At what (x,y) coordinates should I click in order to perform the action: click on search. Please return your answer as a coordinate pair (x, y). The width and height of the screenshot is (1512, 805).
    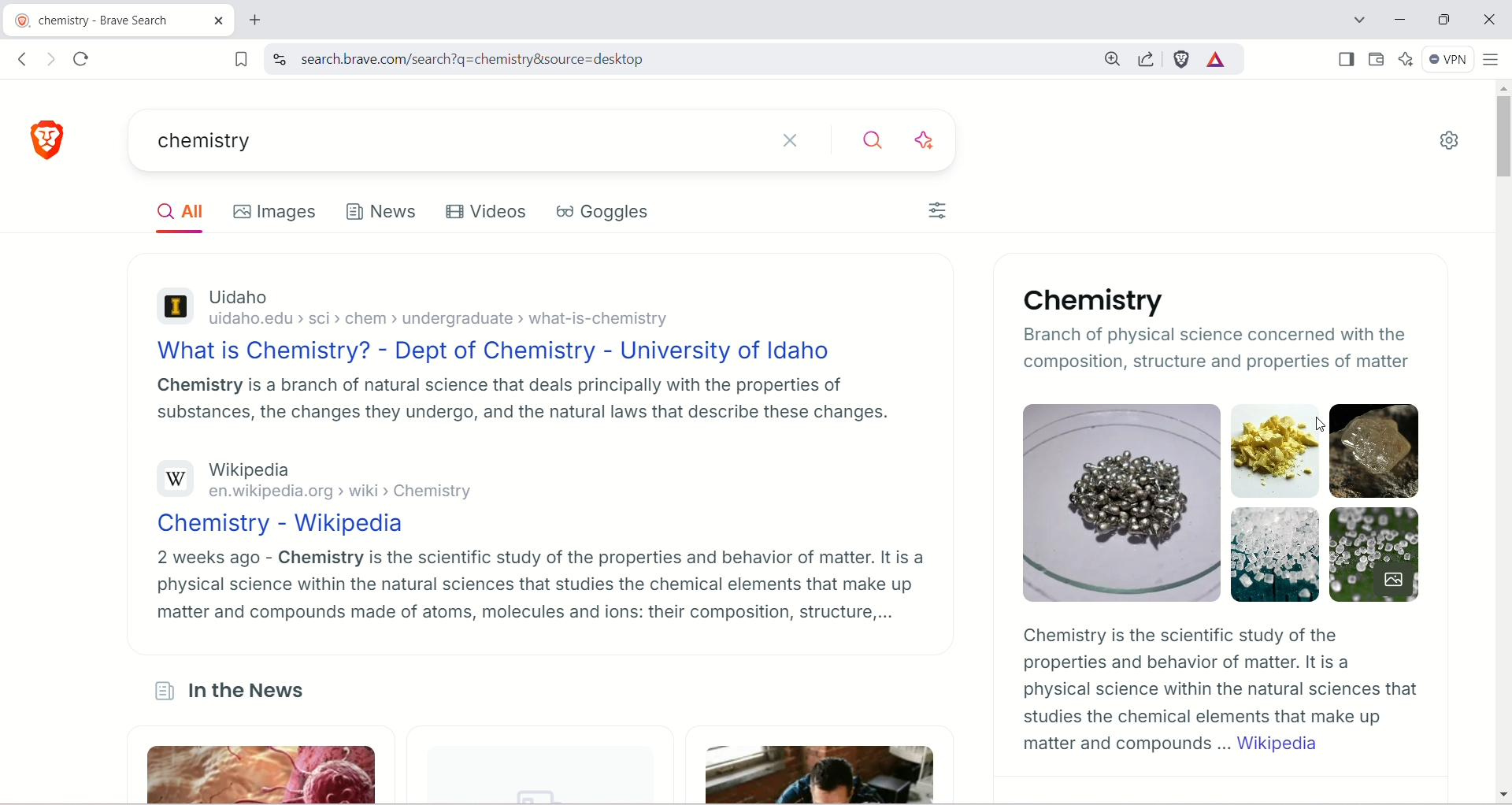
    Looking at the image, I should click on (872, 137).